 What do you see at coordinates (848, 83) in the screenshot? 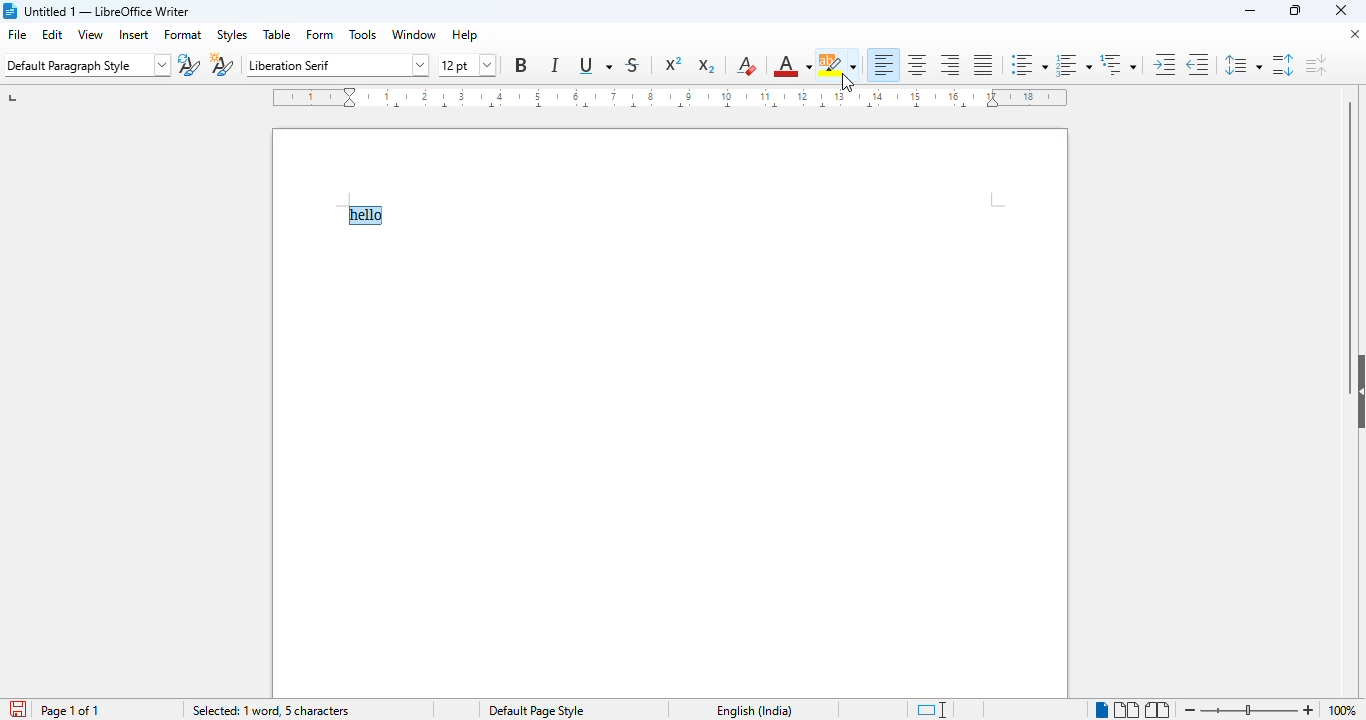
I see `cursor` at bounding box center [848, 83].